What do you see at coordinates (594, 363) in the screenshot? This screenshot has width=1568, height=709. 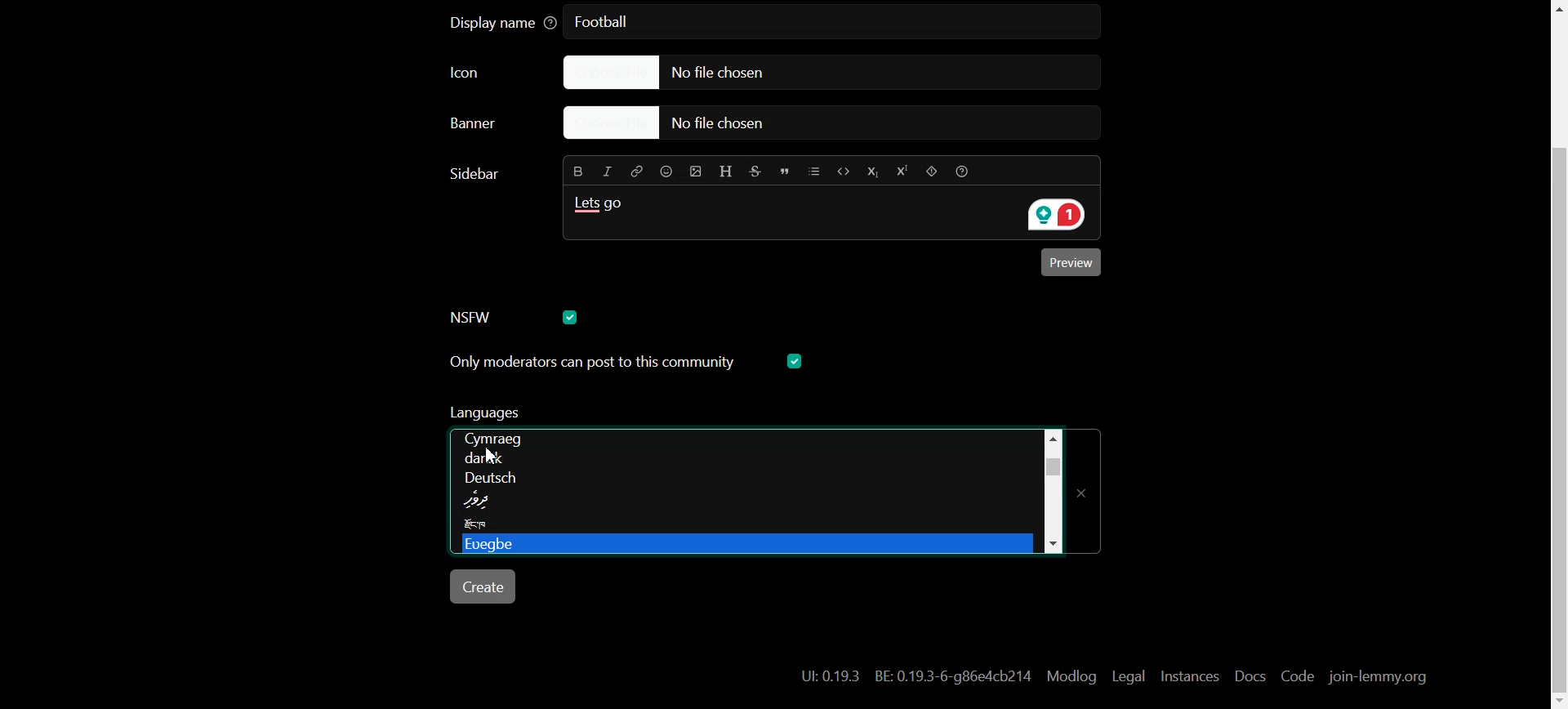 I see `Enable post to community` at bounding box center [594, 363].